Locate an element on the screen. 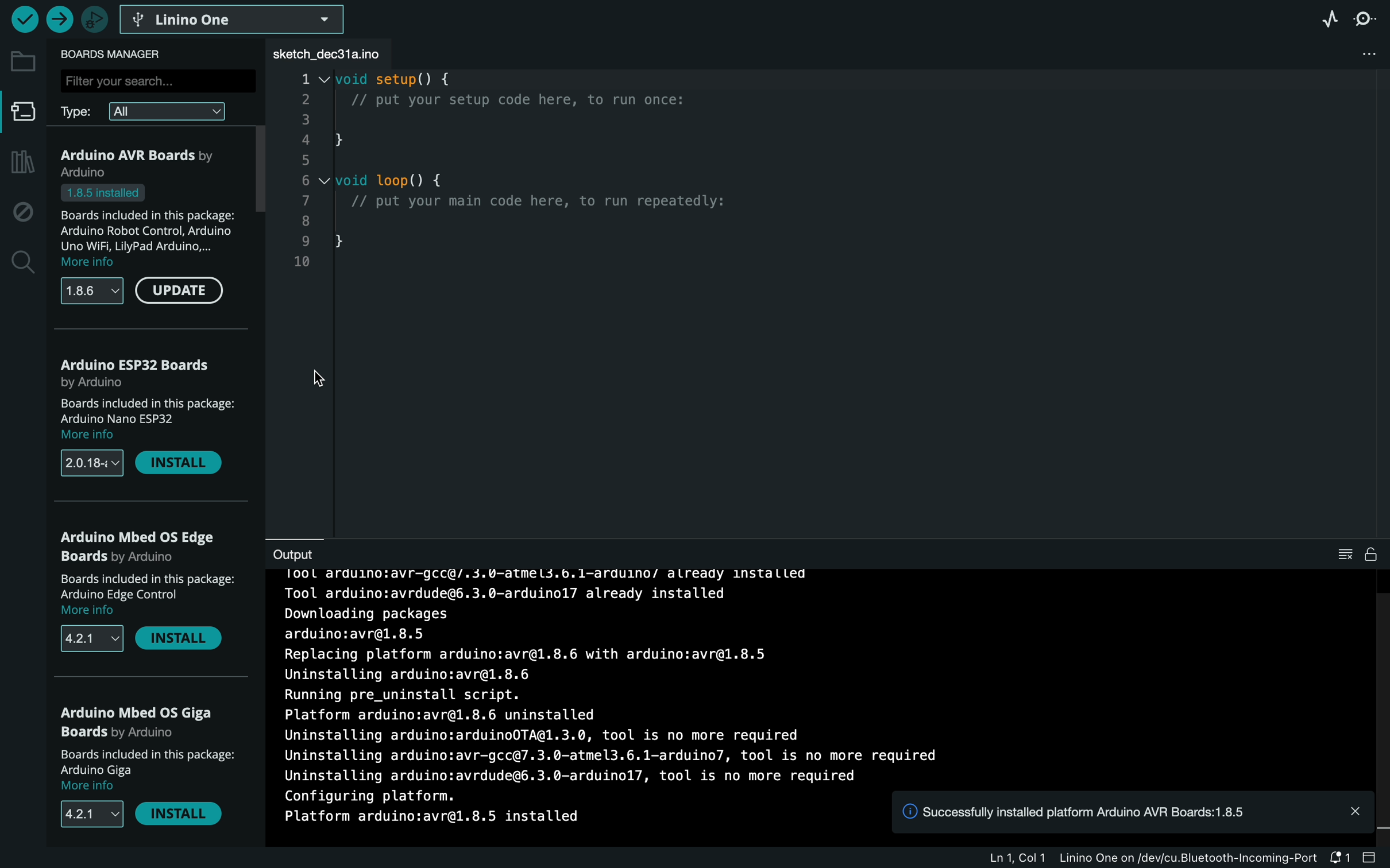  serial plotter is located at coordinates (1323, 18).